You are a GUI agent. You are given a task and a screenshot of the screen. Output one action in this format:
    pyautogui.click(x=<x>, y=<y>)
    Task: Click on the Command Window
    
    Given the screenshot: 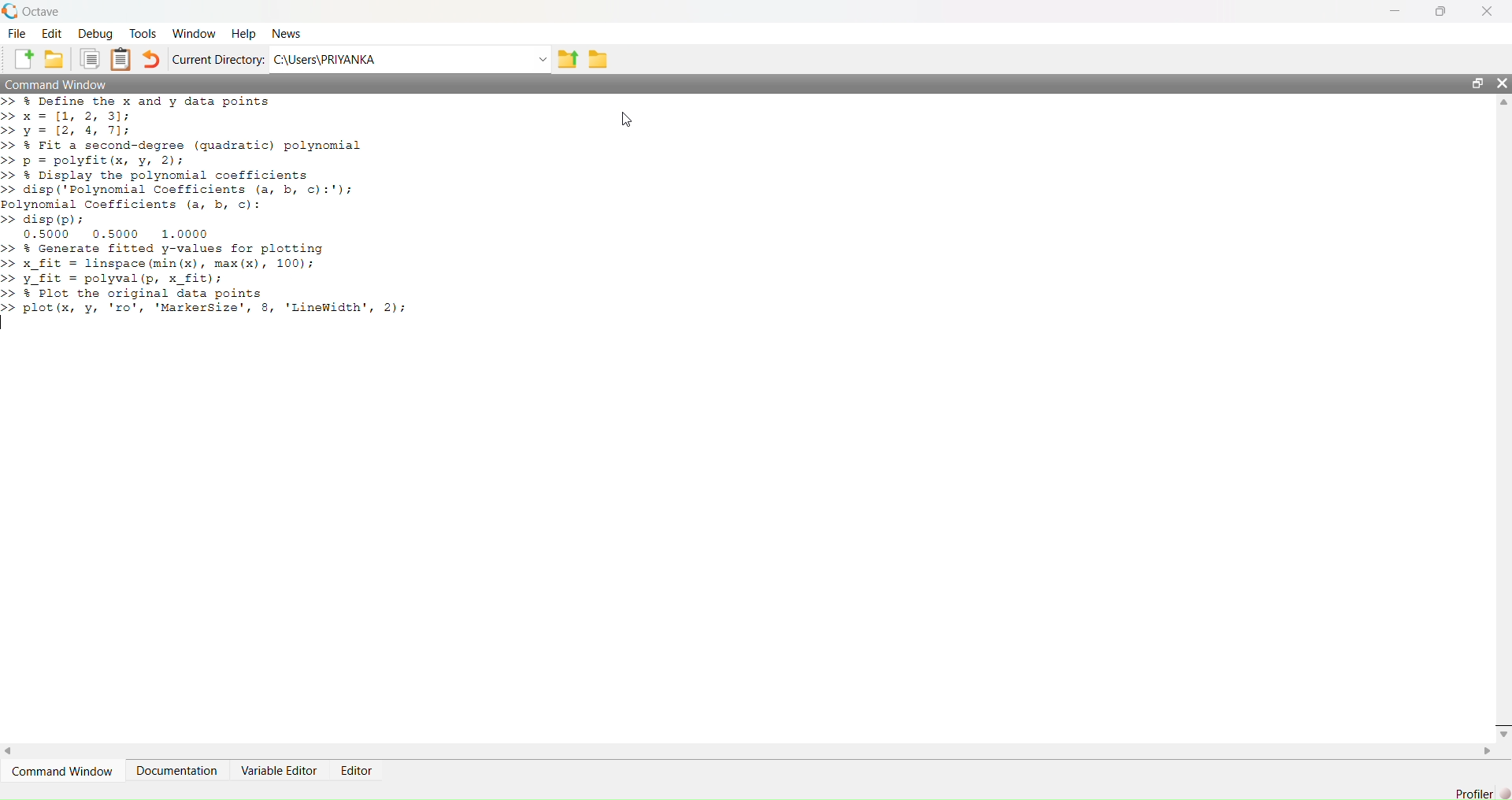 What is the action you would take?
    pyautogui.click(x=61, y=770)
    